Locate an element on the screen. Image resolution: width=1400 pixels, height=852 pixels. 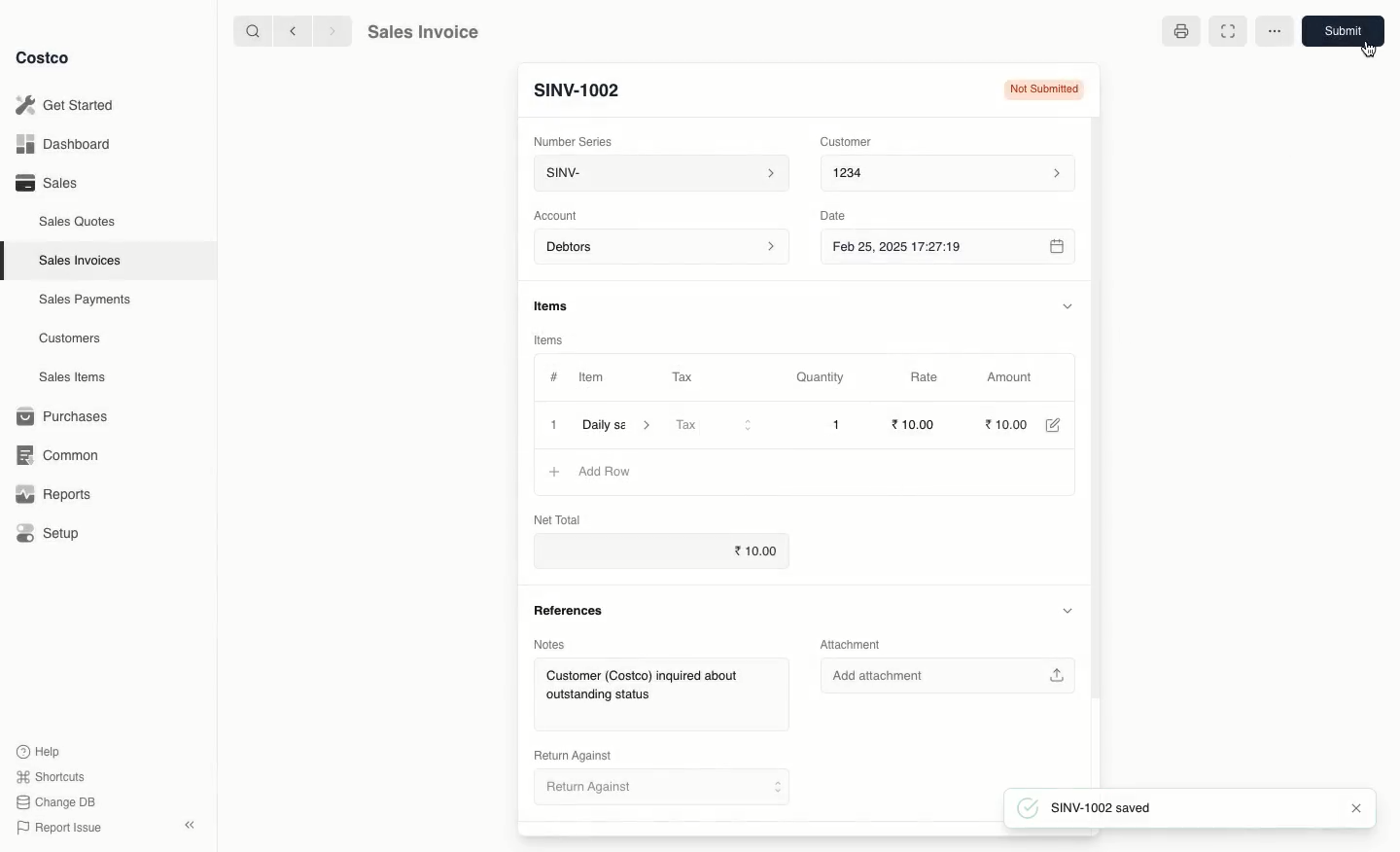
Help is located at coordinates (42, 751).